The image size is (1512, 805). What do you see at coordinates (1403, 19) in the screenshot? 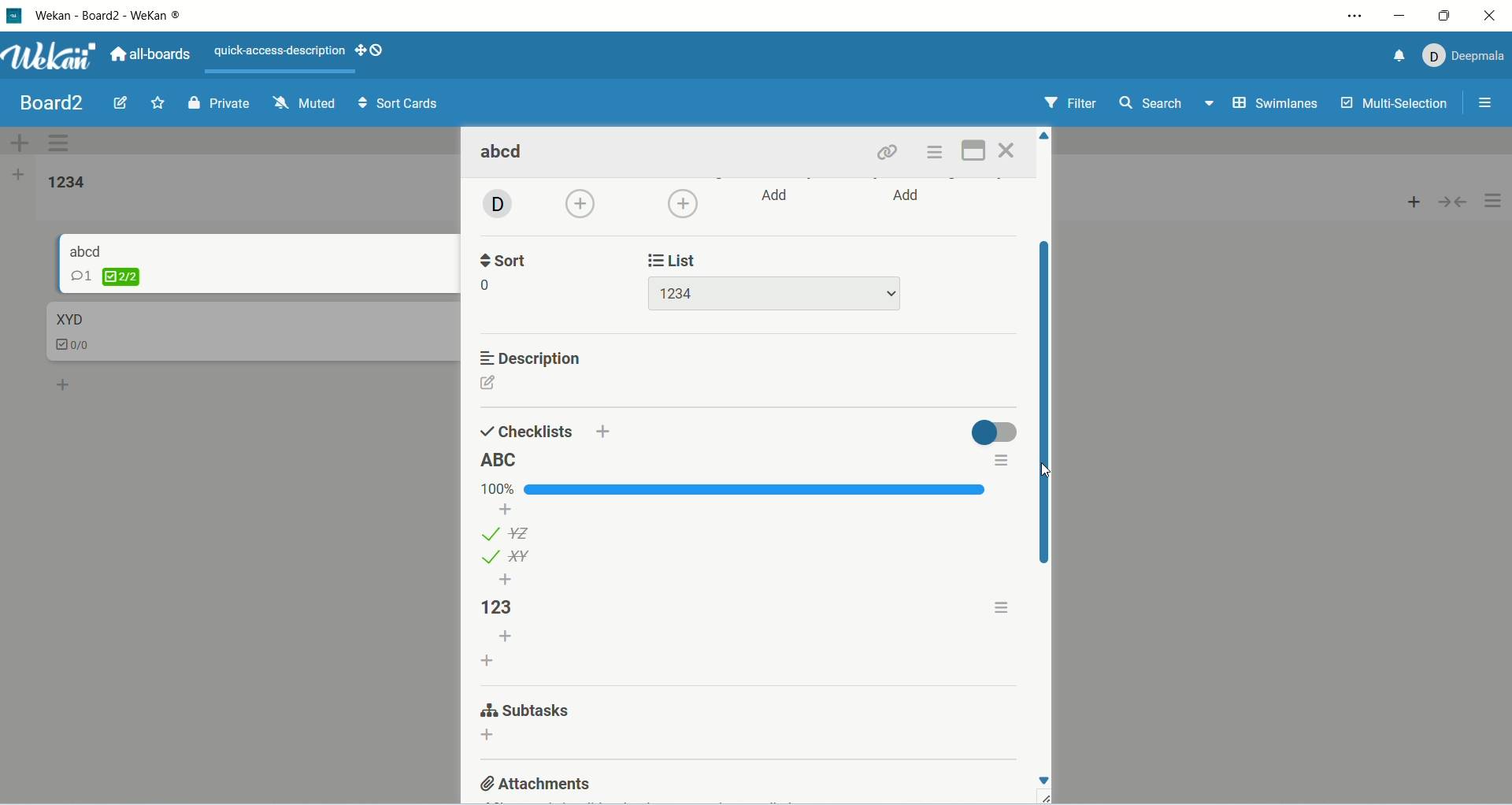
I see `minimize` at bounding box center [1403, 19].